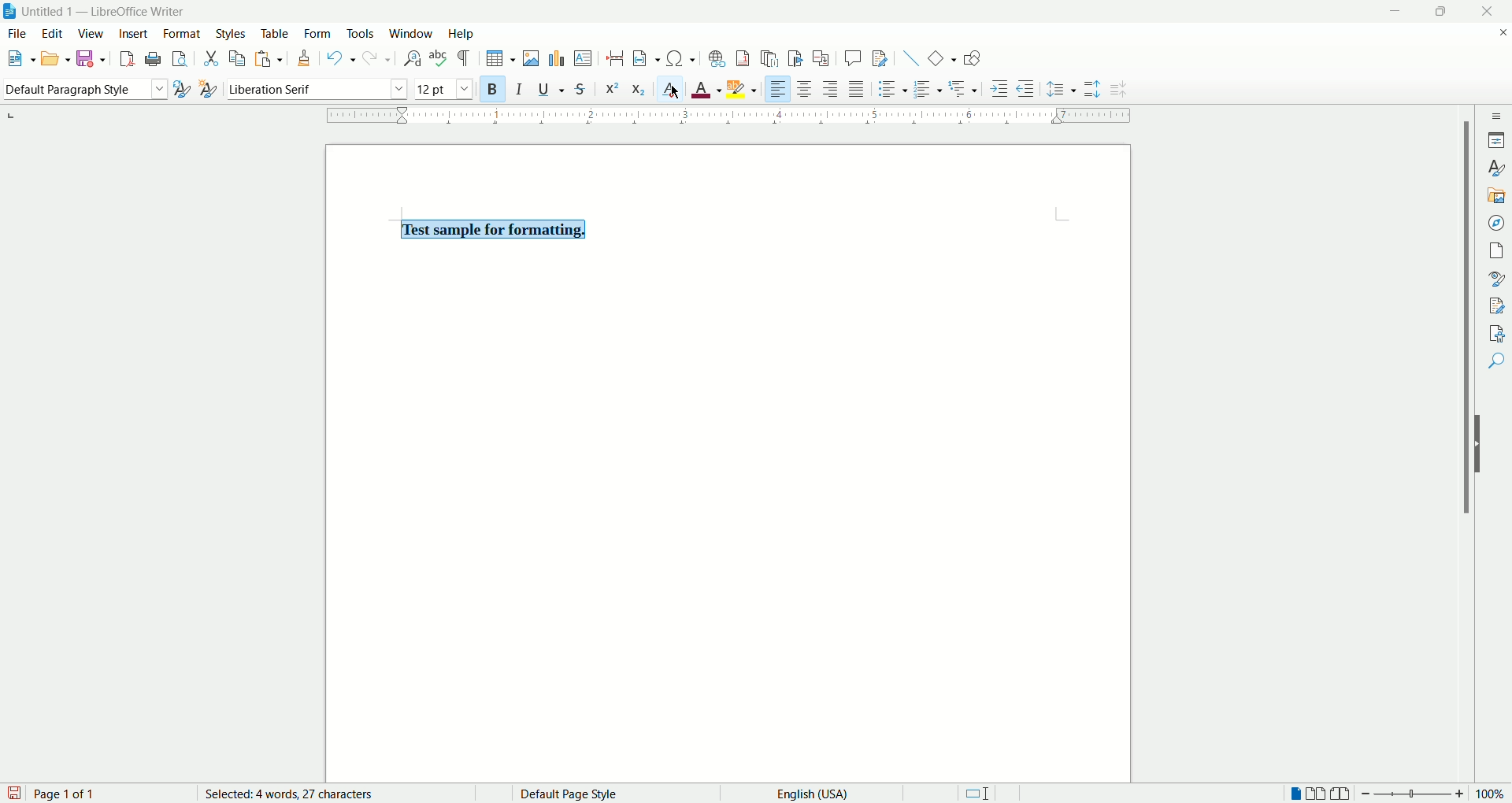 This screenshot has width=1512, height=803. What do you see at coordinates (877, 58) in the screenshot?
I see `track changes` at bounding box center [877, 58].